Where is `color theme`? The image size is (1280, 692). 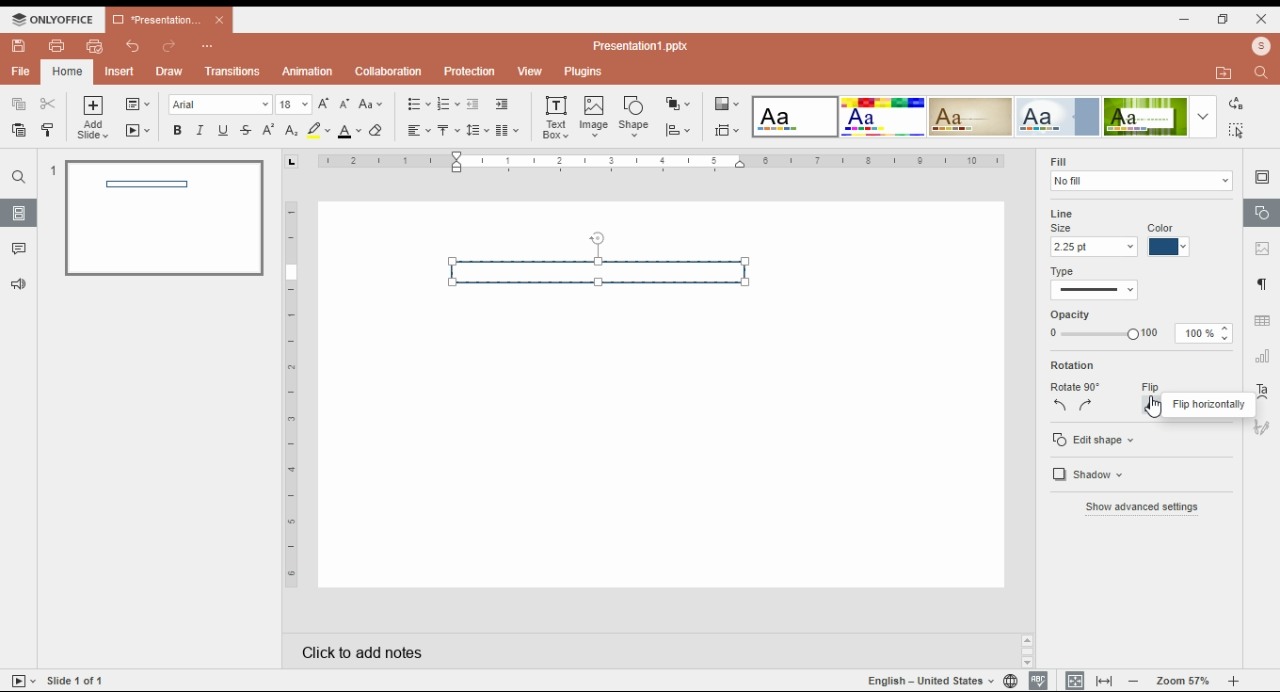 color theme is located at coordinates (883, 117).